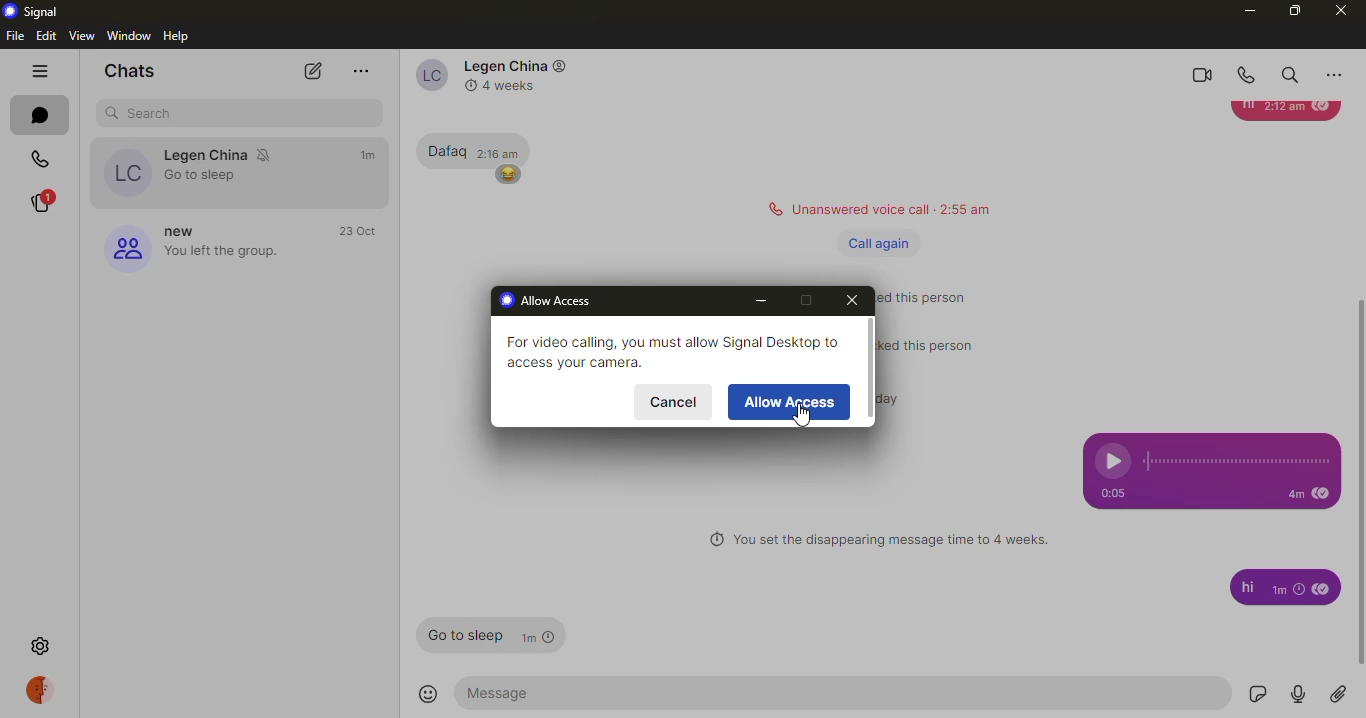  What do you see at coordinates (459, 635) in the screenshot?
I see `Go to sleep` at bounding box center [459, 635].